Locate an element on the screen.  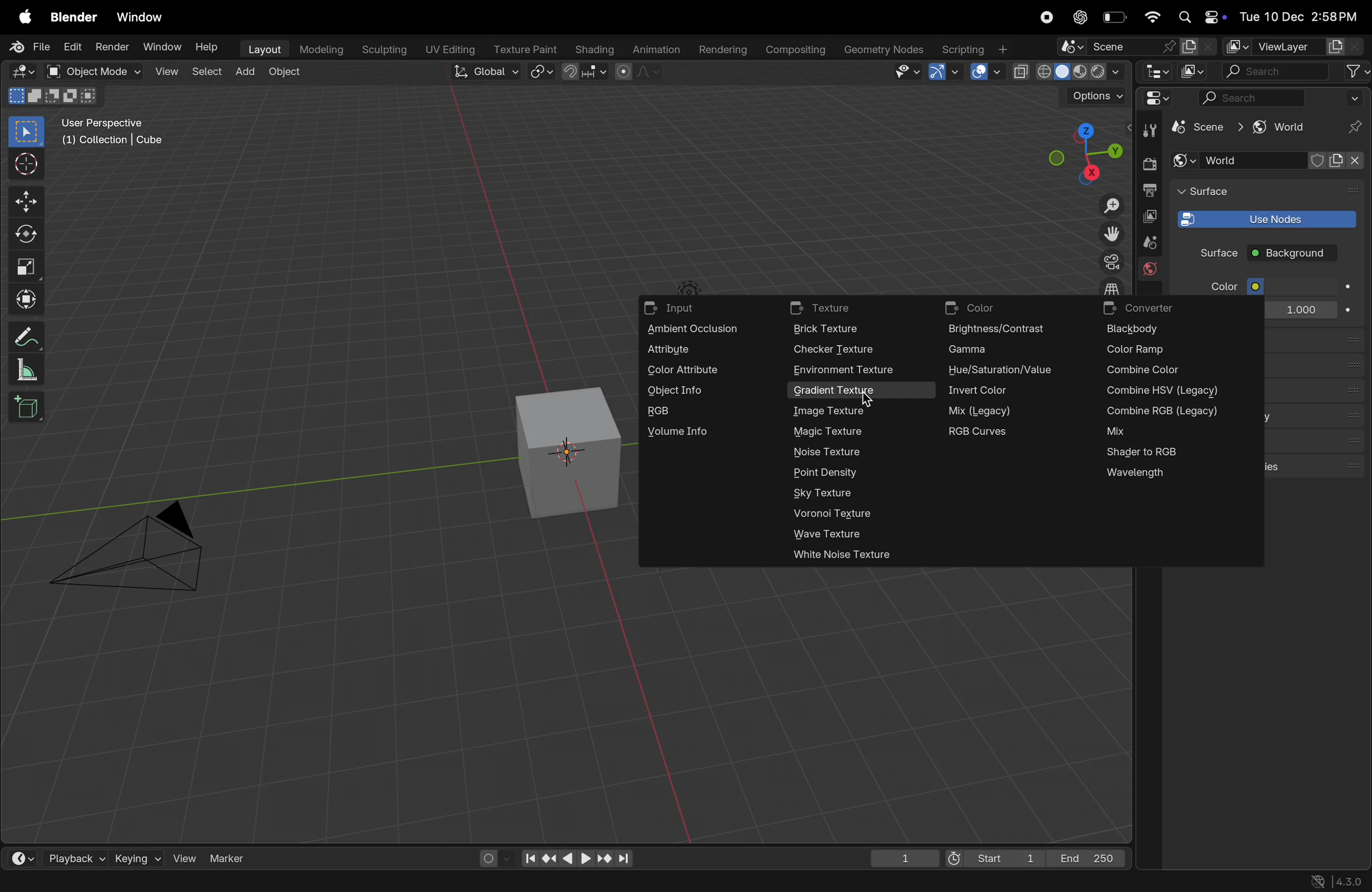
use nodes is located at coordinates (1264, 218).